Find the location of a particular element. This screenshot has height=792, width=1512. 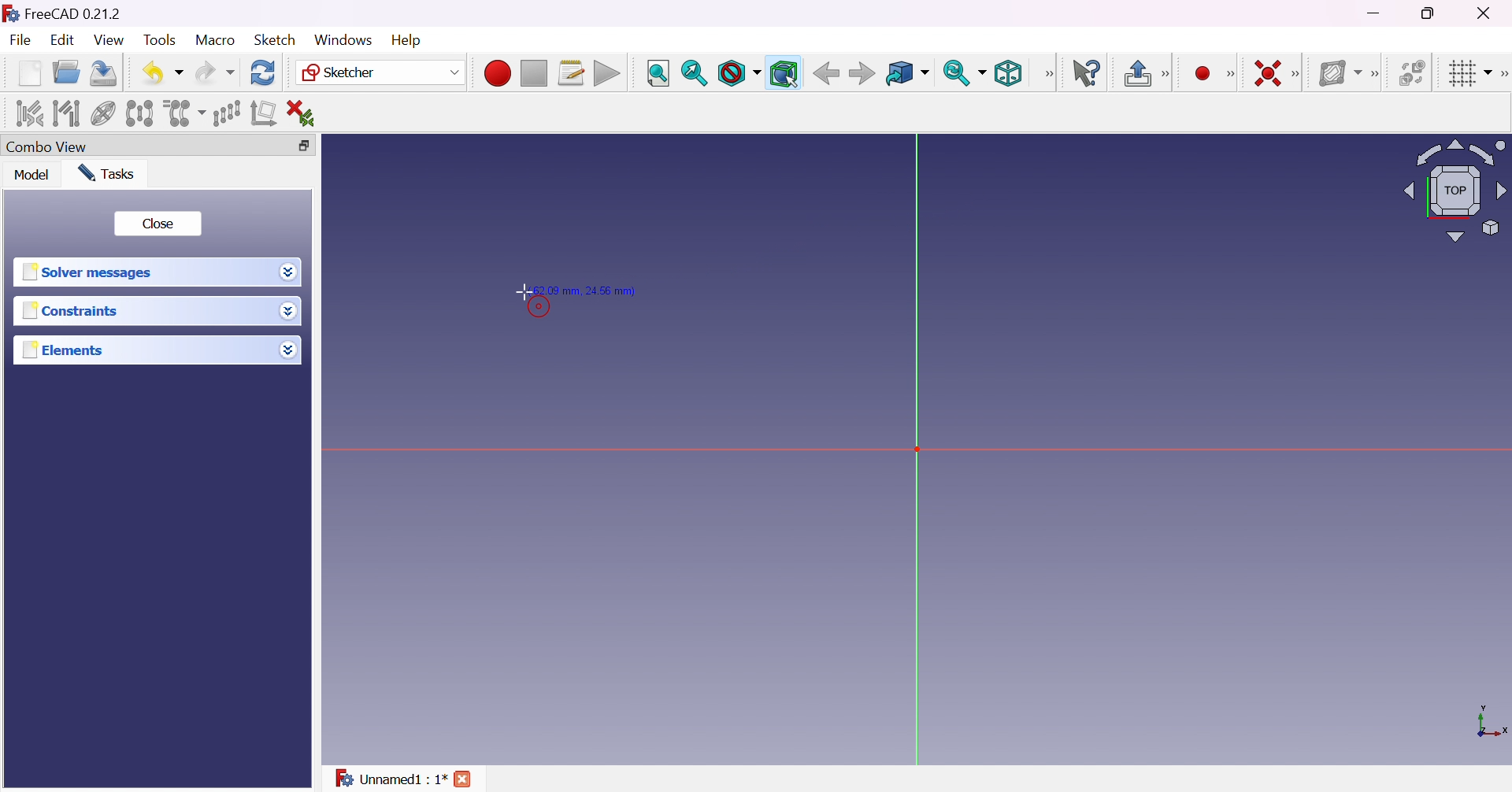

Fit all is located at coordinates (658, 74).